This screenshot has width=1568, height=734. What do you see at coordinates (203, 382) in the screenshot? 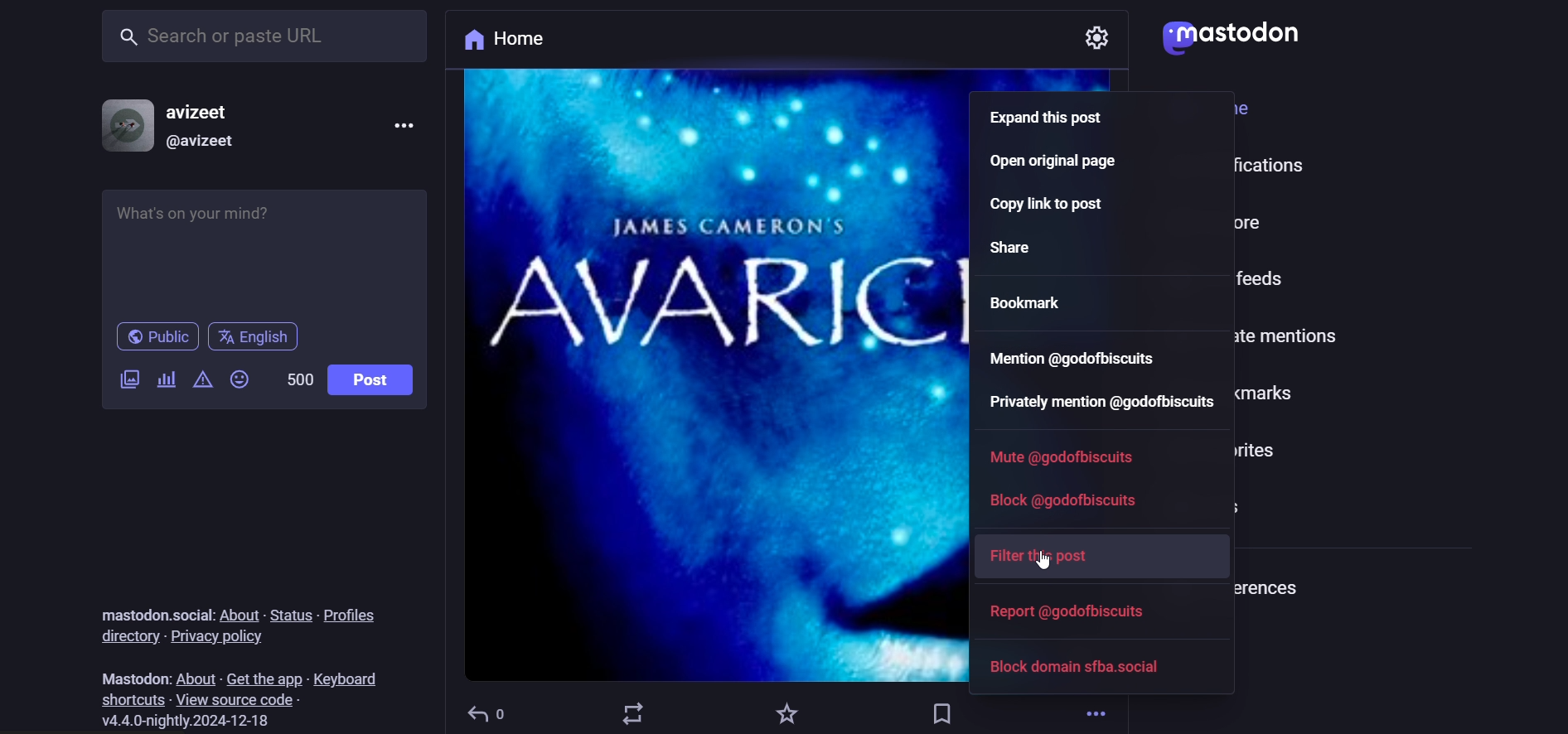
I see `content warning` at bounding box center [203, 382].